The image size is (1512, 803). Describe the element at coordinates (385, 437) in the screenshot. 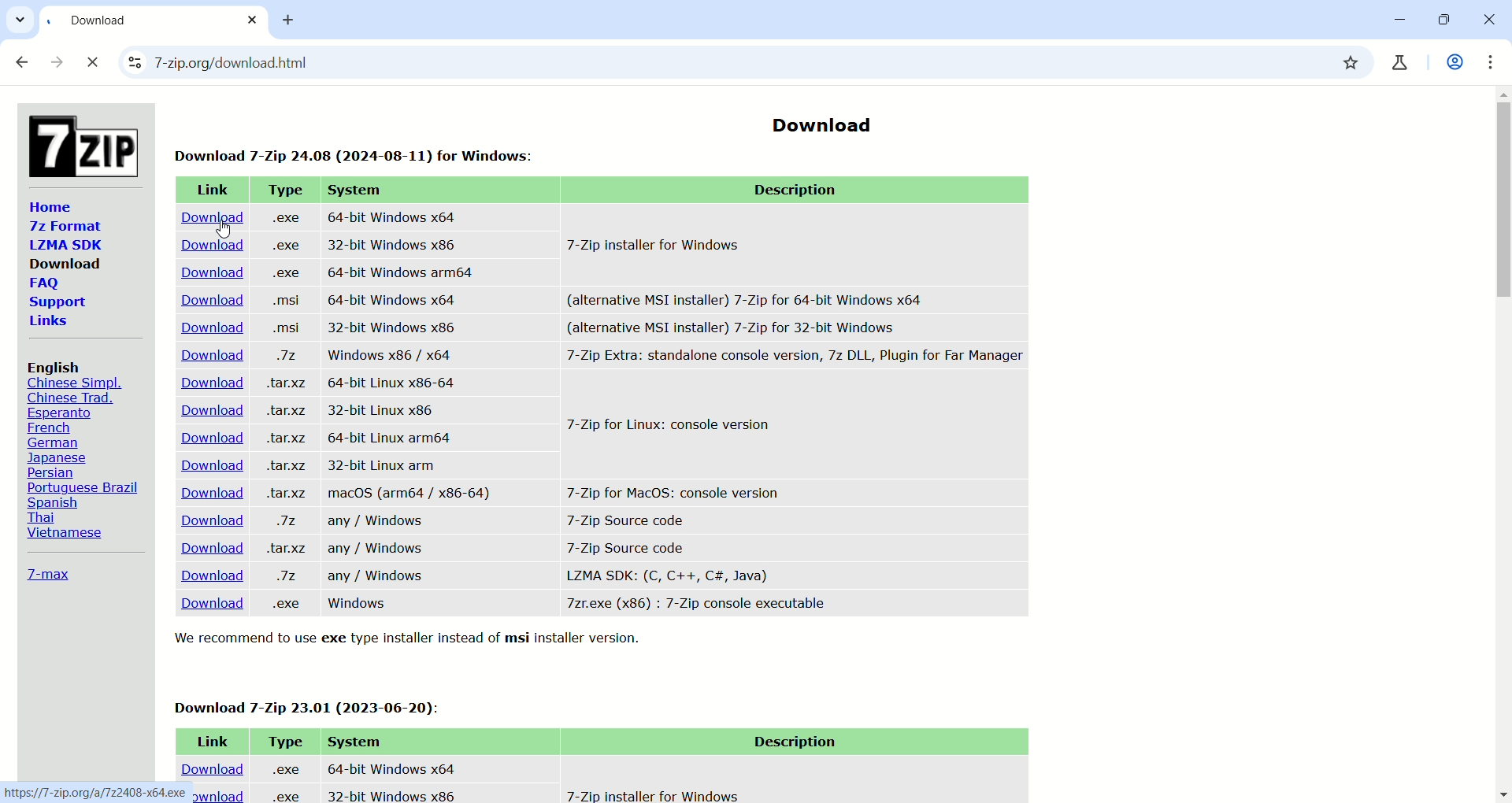

I see `64-bit Linux arm64` at that location.